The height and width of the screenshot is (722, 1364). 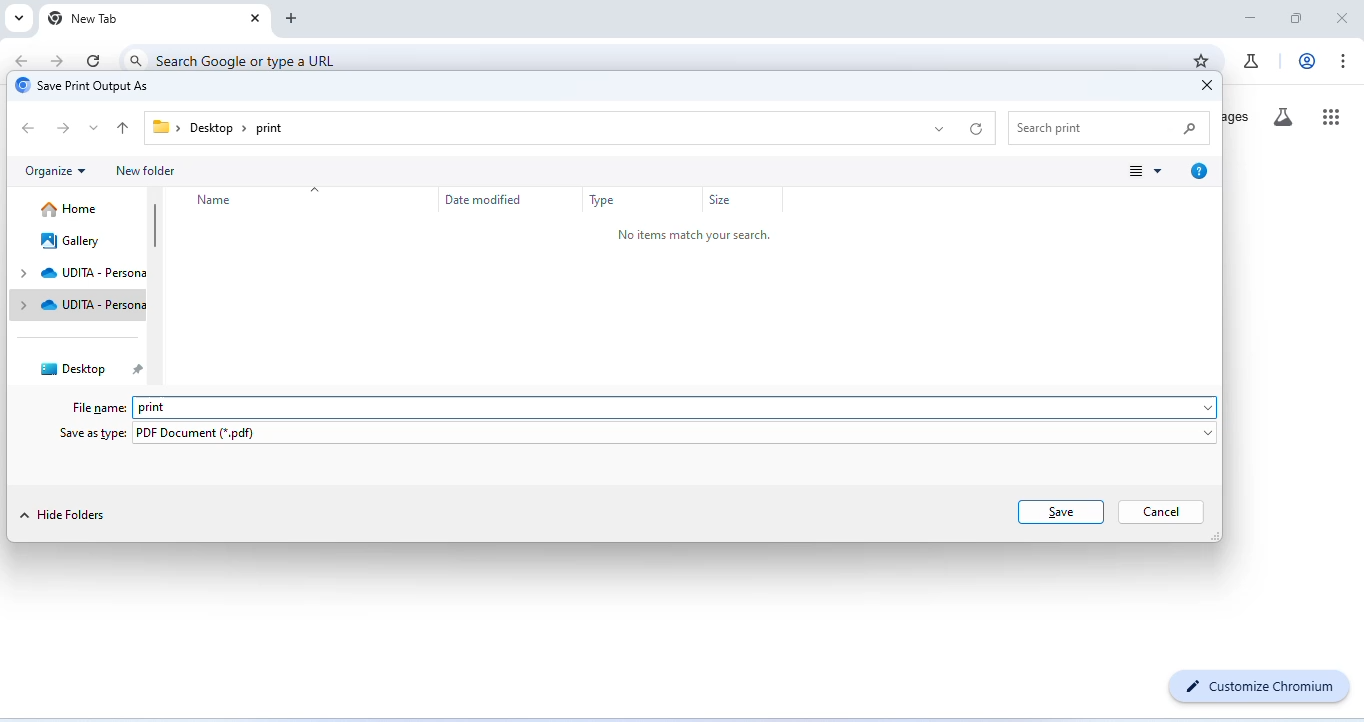 I want to click on search item, so click(x=1112, y=127).